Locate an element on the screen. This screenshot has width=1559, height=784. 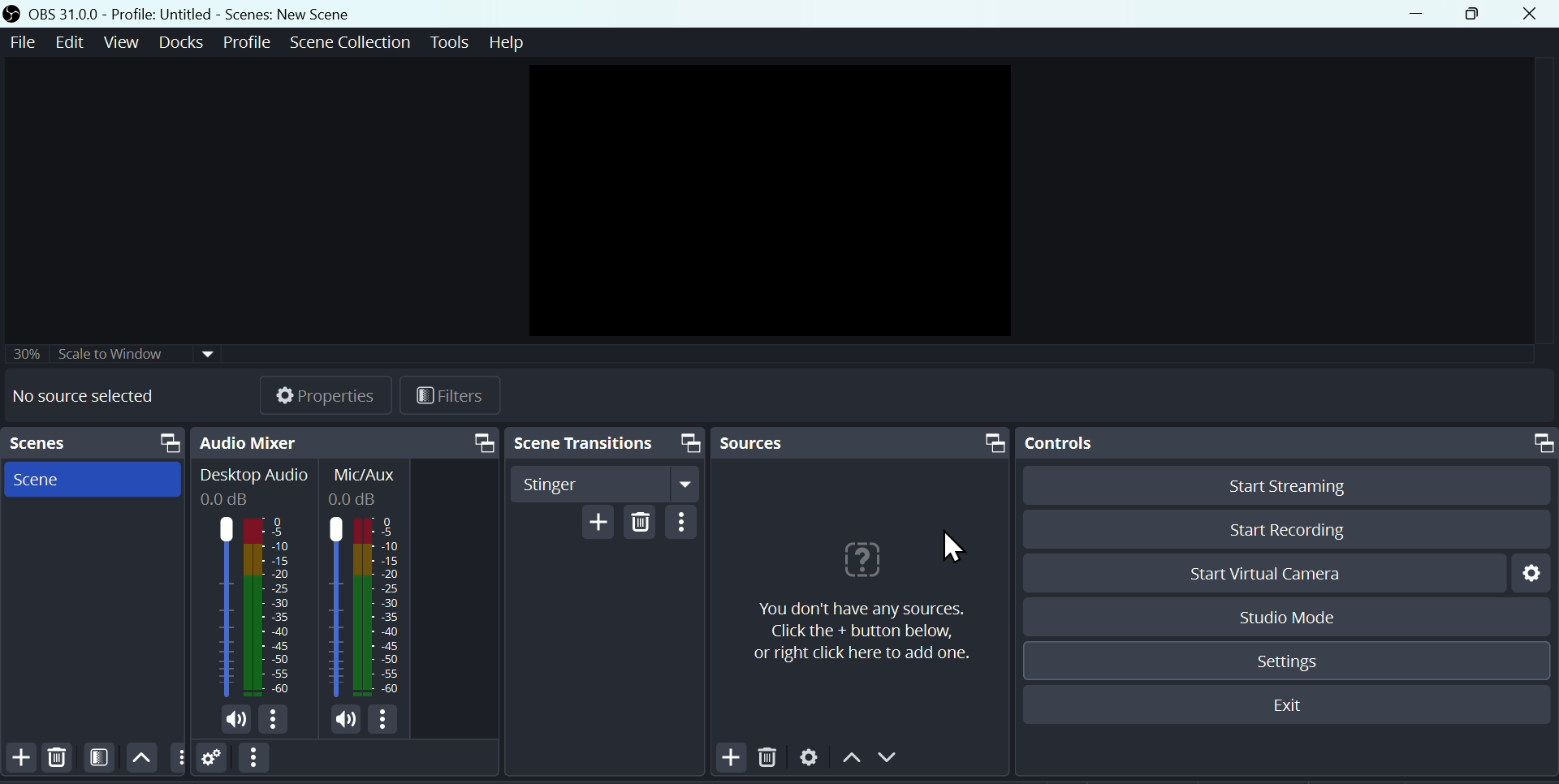
Add is located at coordinates (594, 525).